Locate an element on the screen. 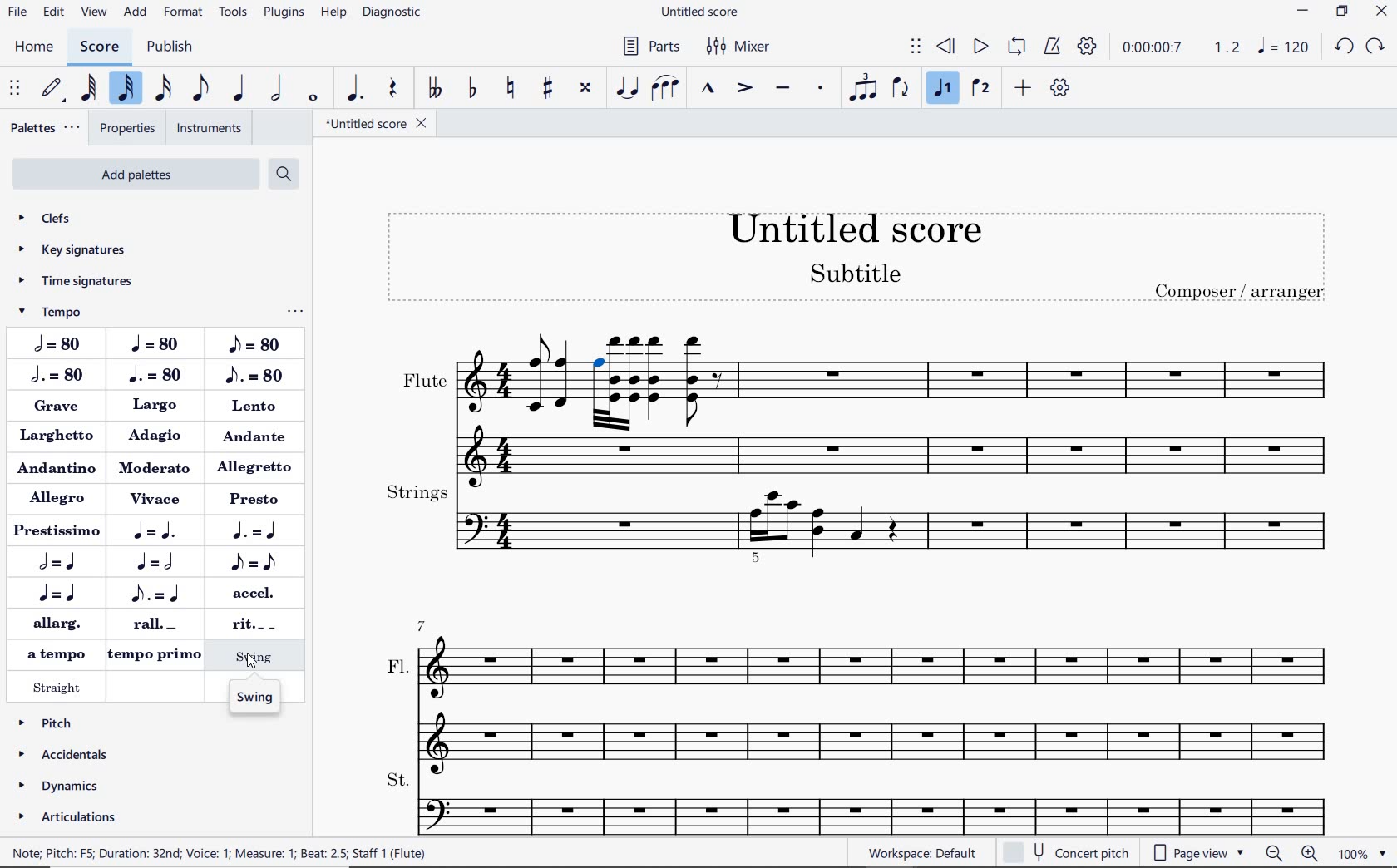  accidentals is located at coordinates (65, 755).